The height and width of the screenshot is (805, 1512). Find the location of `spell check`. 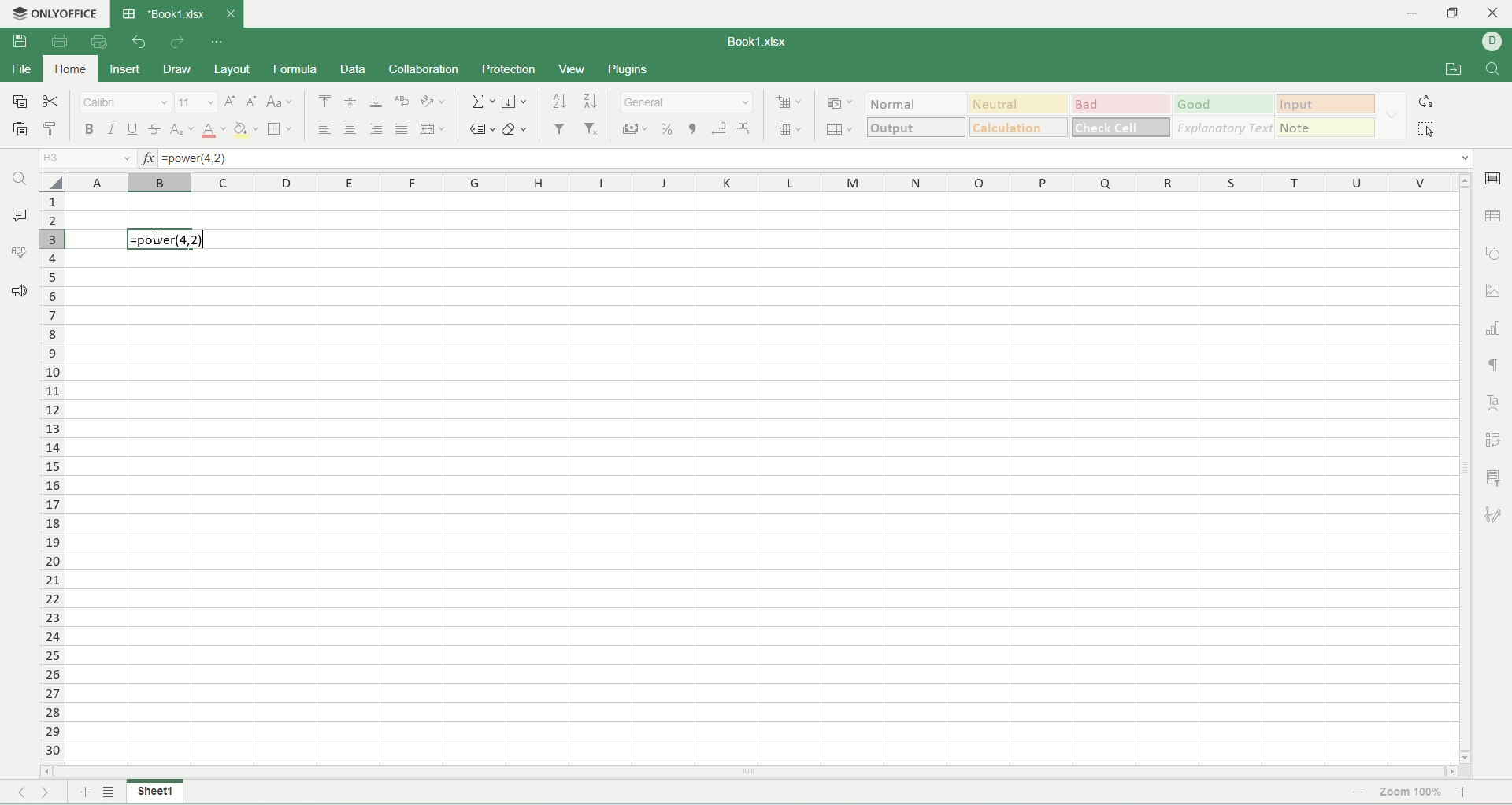

spell check is located at coordinates (18, 251).